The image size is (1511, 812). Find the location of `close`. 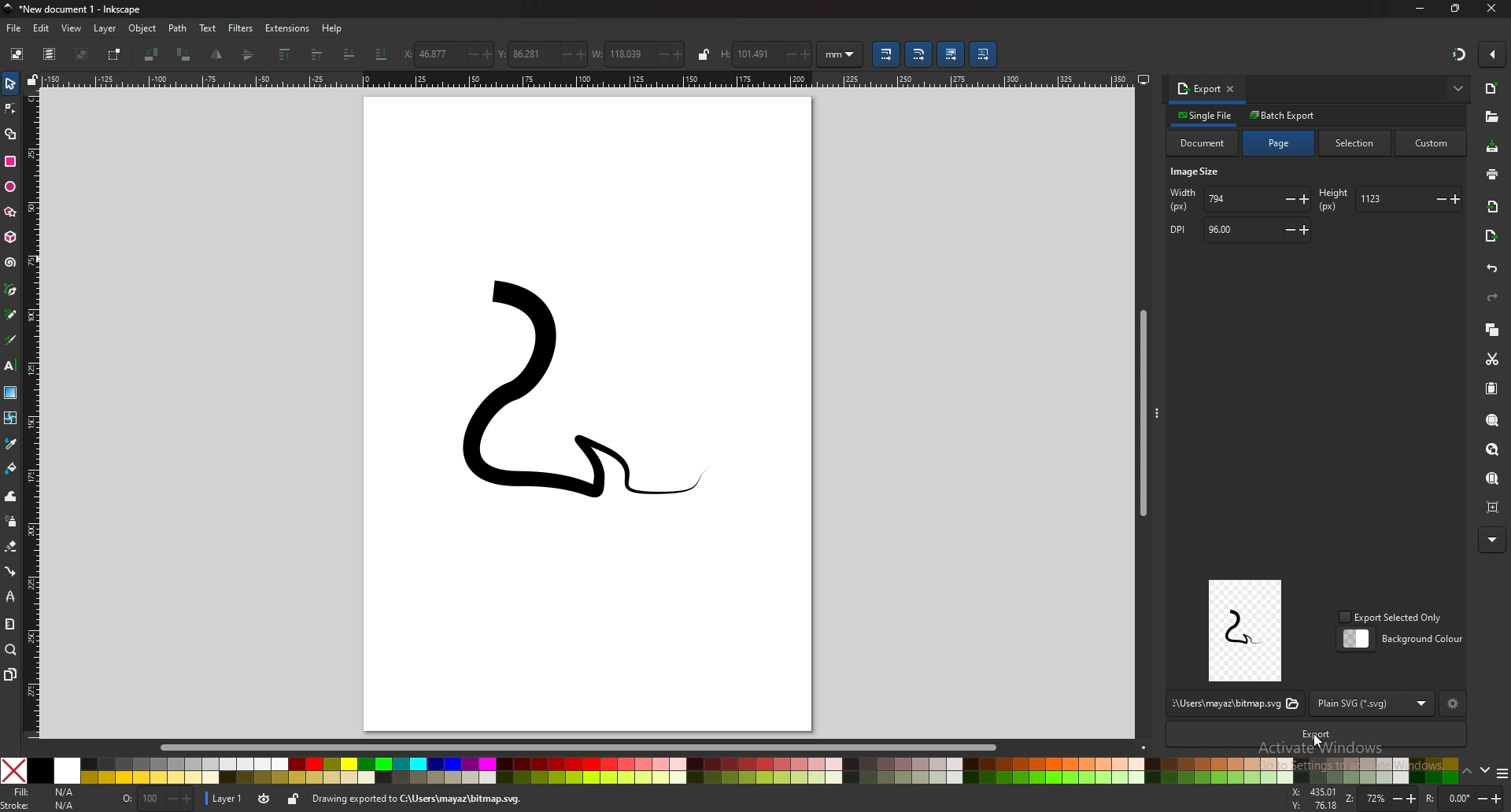

close is located at coordinates (1491, 9).